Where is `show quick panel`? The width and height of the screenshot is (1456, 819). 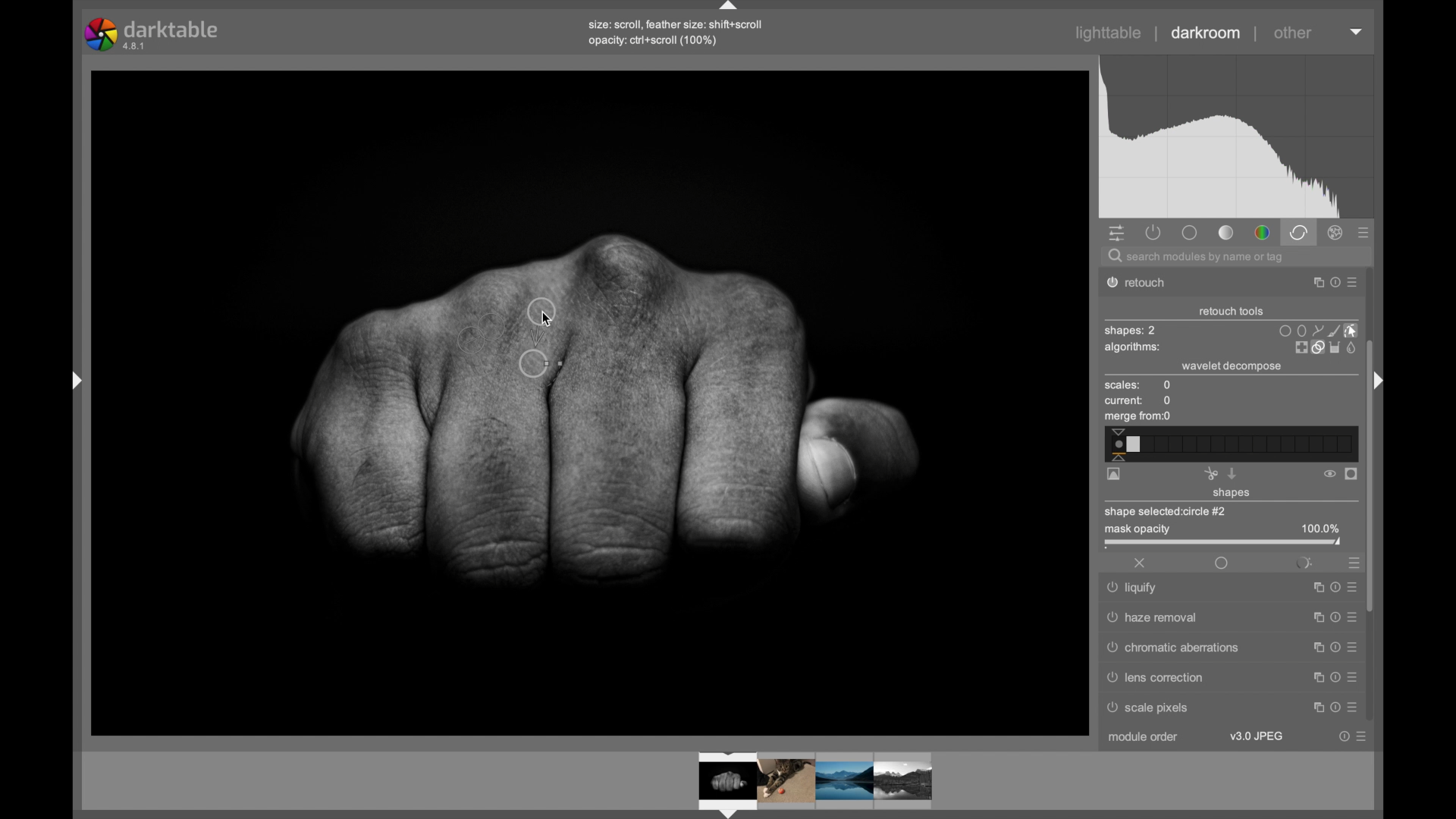
show quick panel is located at coordinates (1116, 234).